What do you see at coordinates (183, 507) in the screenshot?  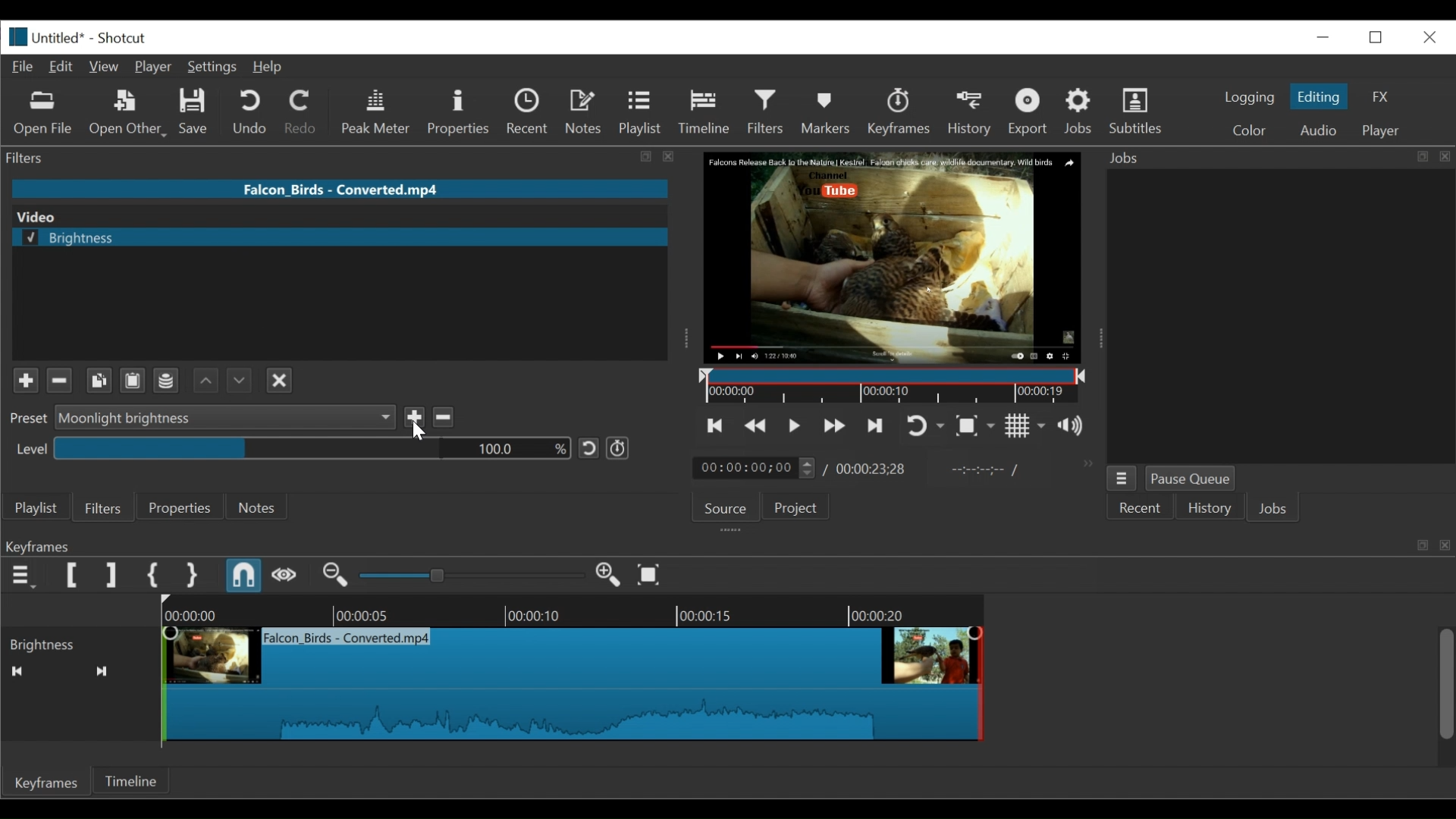 I see `Properties` at bounding box center [183, 507].